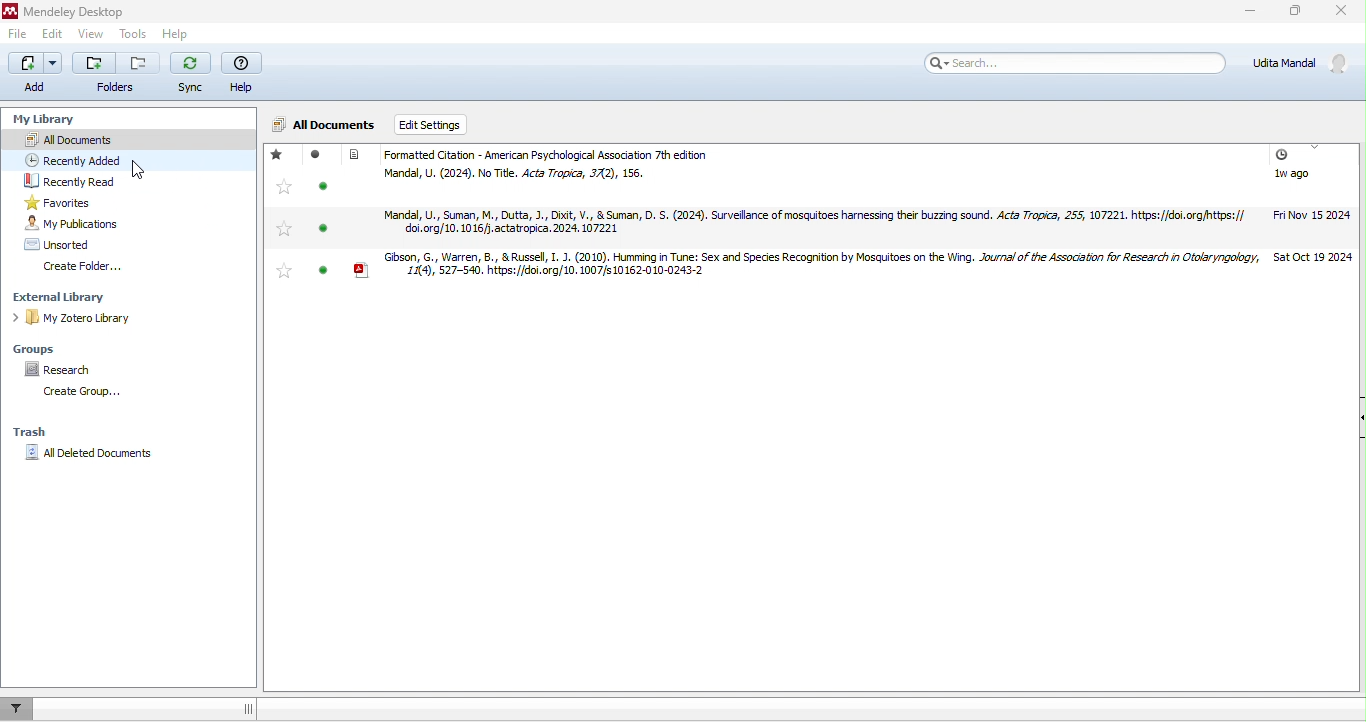 This screenshot has width=1366, height=722. What do you see at coordinates (52, 34) in the screenshot?
I see `edit` at bounding box center [52, 34].